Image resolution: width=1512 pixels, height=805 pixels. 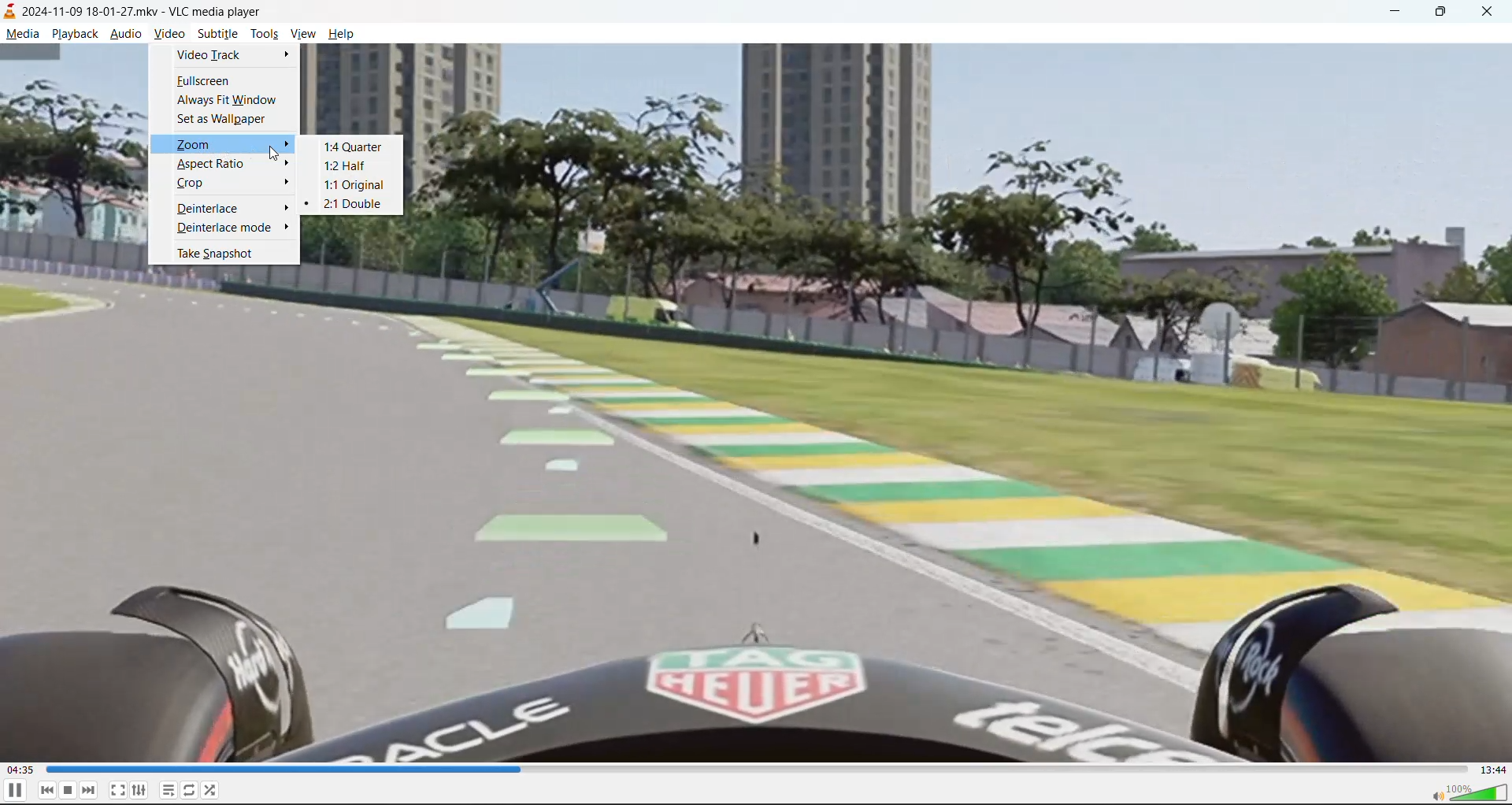 I want to click on previous, so click(x=47, y=790).